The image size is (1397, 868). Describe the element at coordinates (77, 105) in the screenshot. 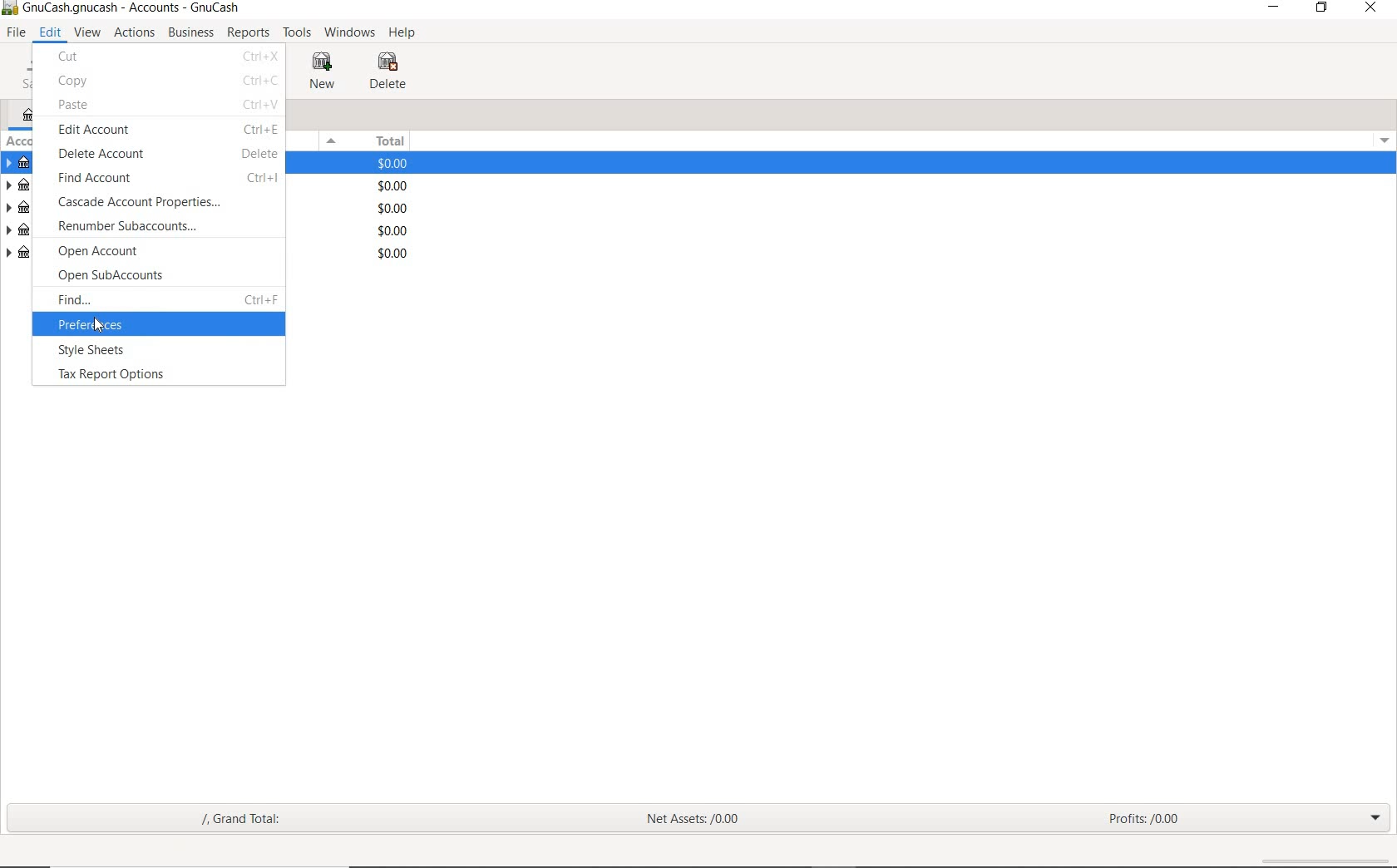

I see `paste` at that location.